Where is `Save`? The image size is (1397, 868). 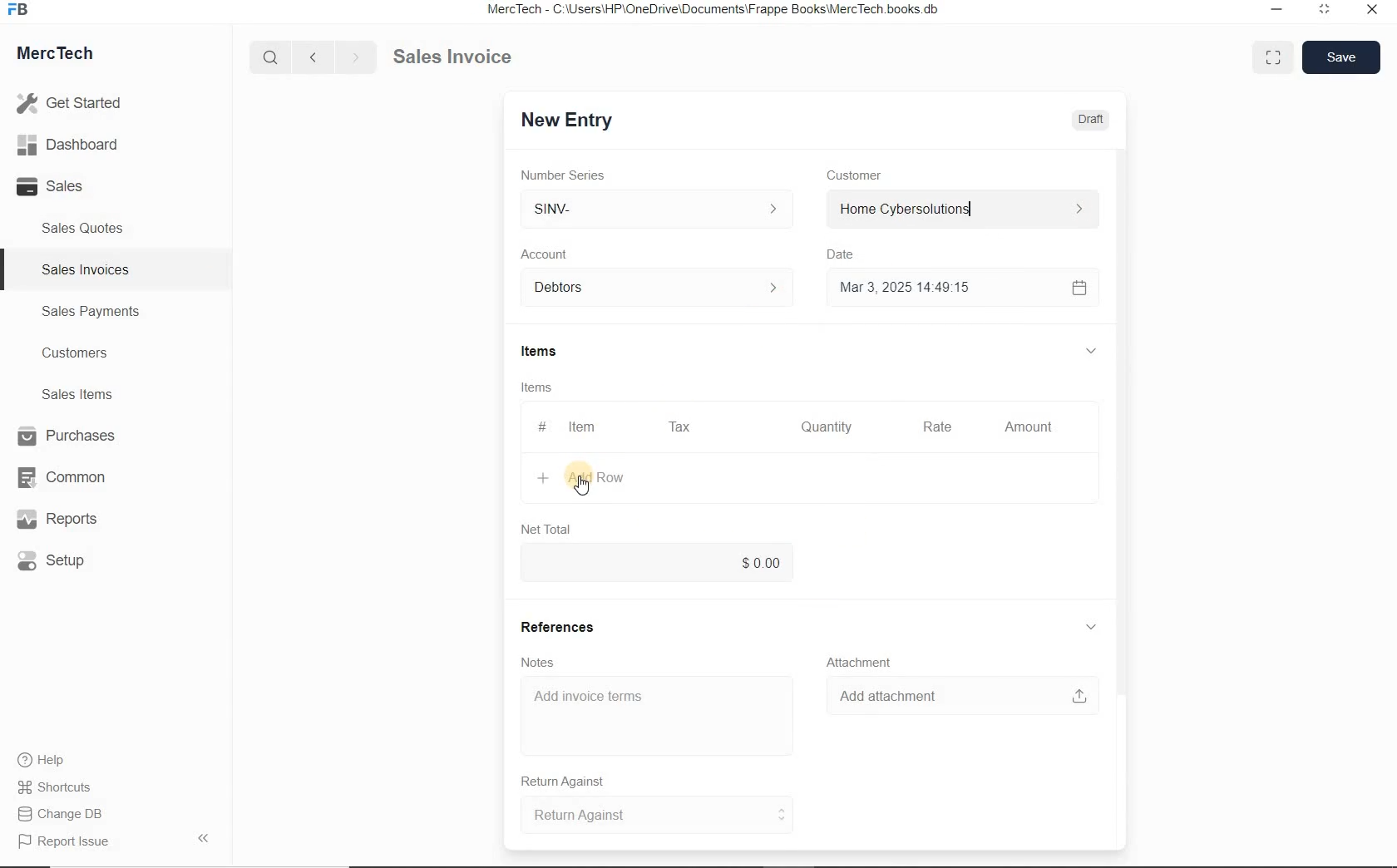
Save is located at coordinates (1340, 57).